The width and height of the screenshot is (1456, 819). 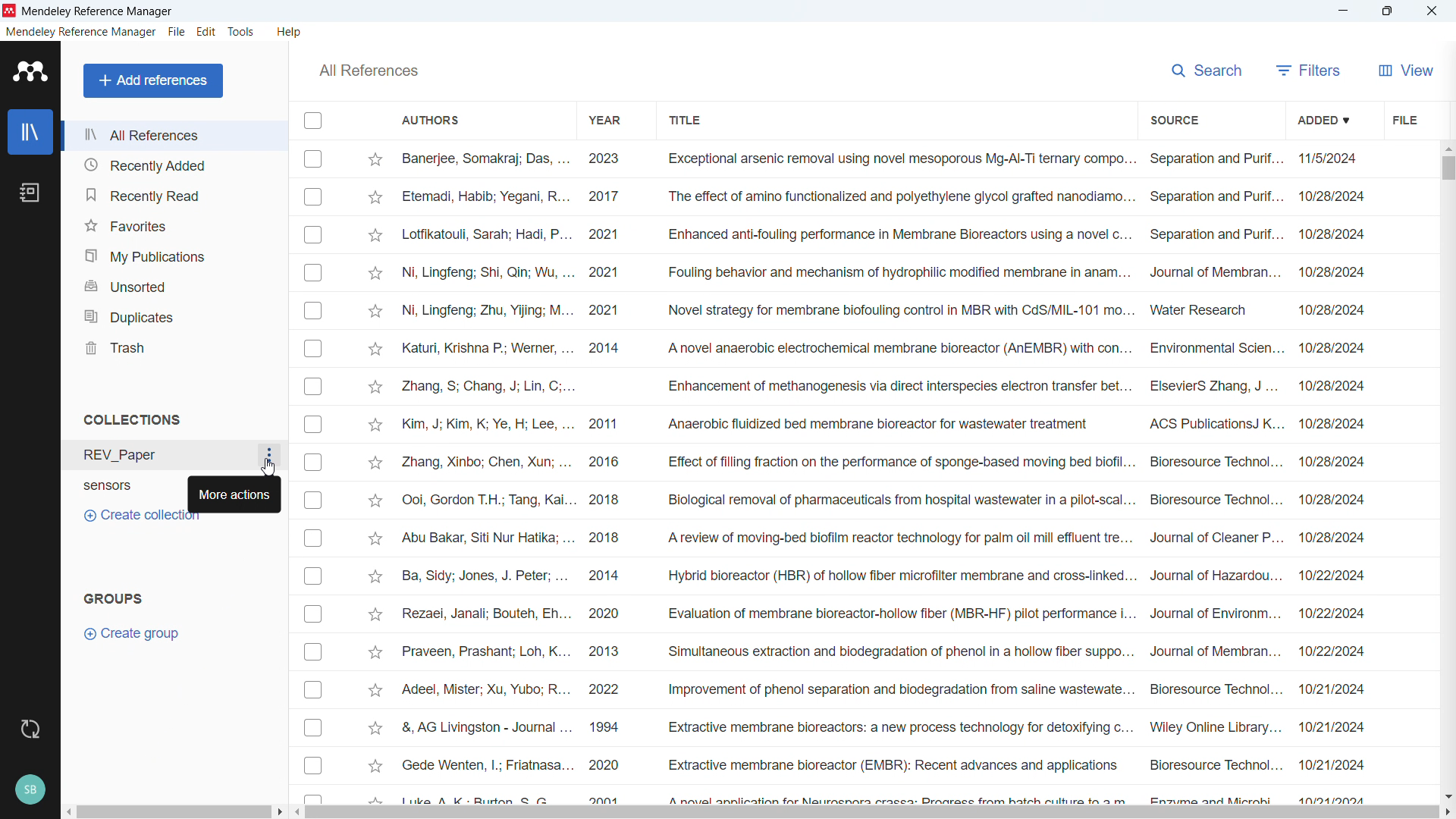 What do you see at coordinates (174, 224) in the screenshot?
I see `Favourites ` at bounding box center [174, 224].